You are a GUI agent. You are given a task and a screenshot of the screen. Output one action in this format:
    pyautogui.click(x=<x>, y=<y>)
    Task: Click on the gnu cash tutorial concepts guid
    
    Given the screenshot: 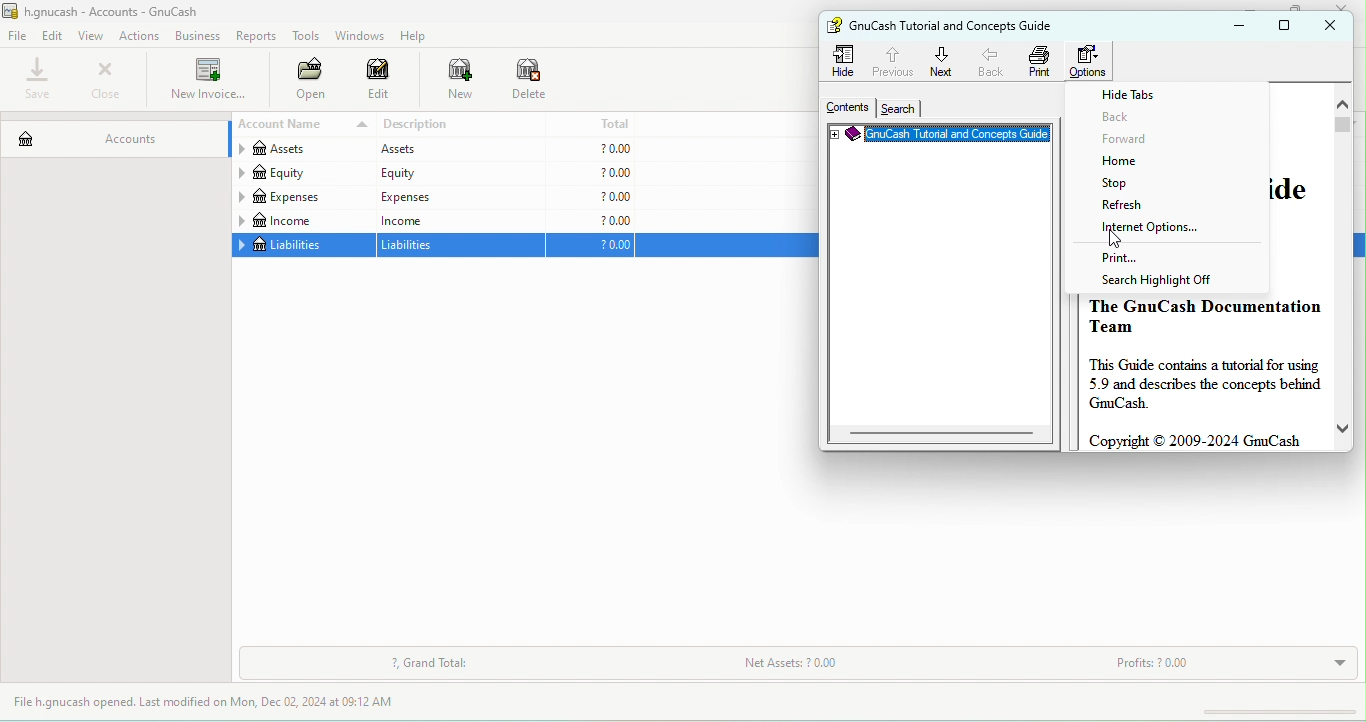 What is the action you would take?
    pyautogui.click(x=940, y=136)
    